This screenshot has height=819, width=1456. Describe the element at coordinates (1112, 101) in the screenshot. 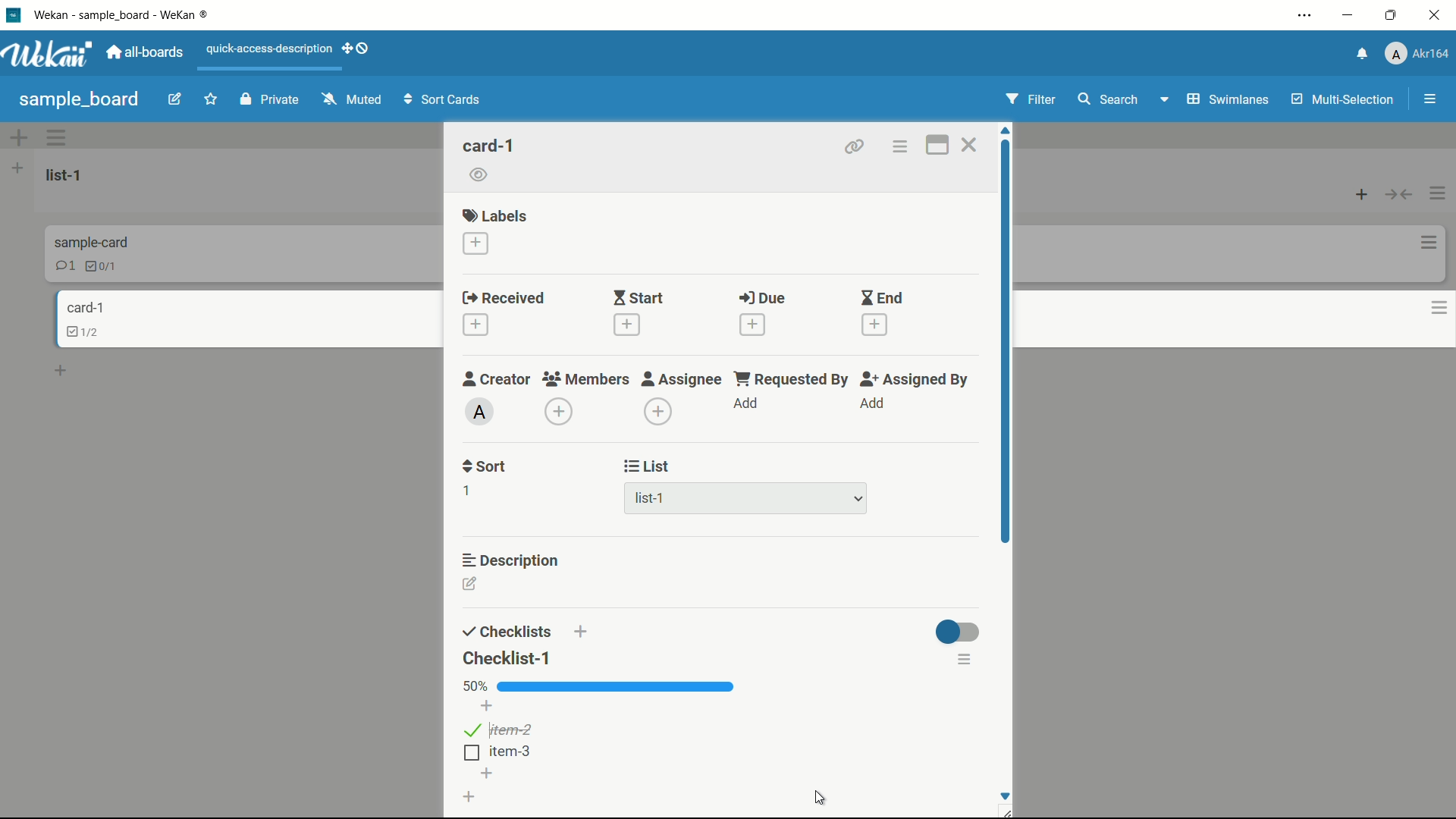

I see `search` at that location.